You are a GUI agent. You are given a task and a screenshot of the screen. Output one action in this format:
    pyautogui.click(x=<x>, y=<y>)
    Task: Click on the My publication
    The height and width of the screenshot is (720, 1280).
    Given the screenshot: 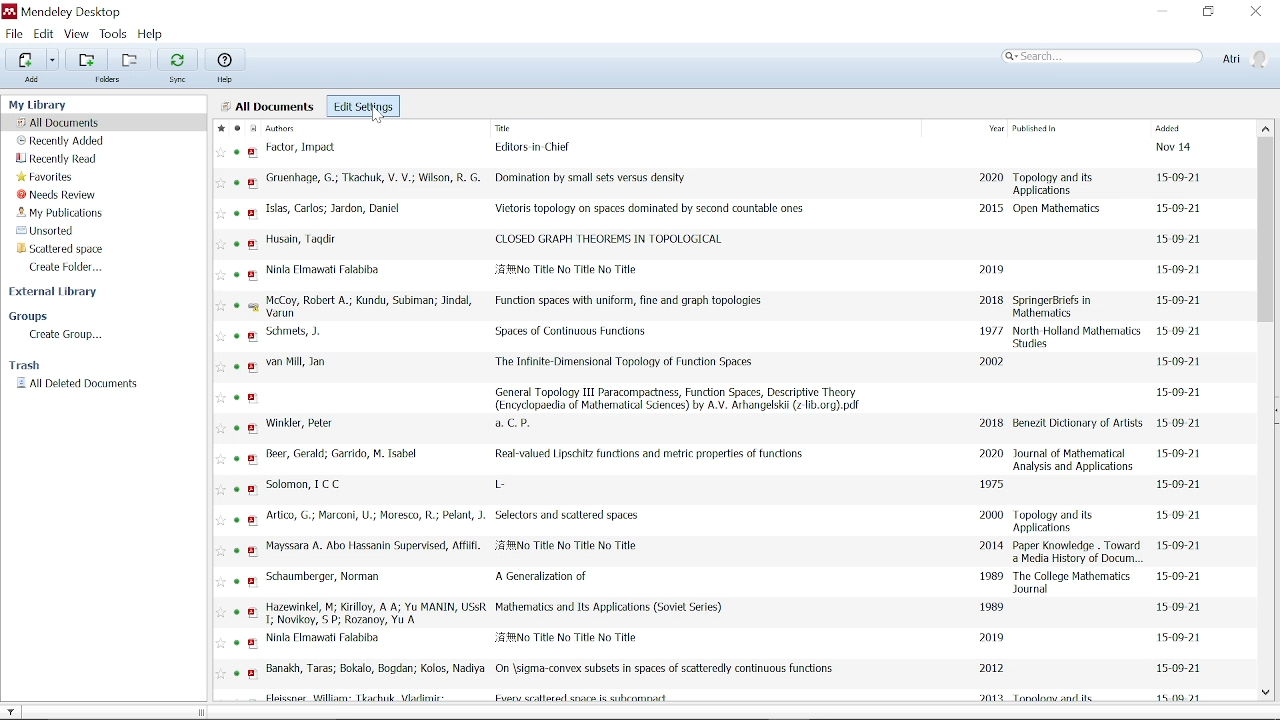 What is the action you would take?
    pyautogui.click(x=62, y=214)
    